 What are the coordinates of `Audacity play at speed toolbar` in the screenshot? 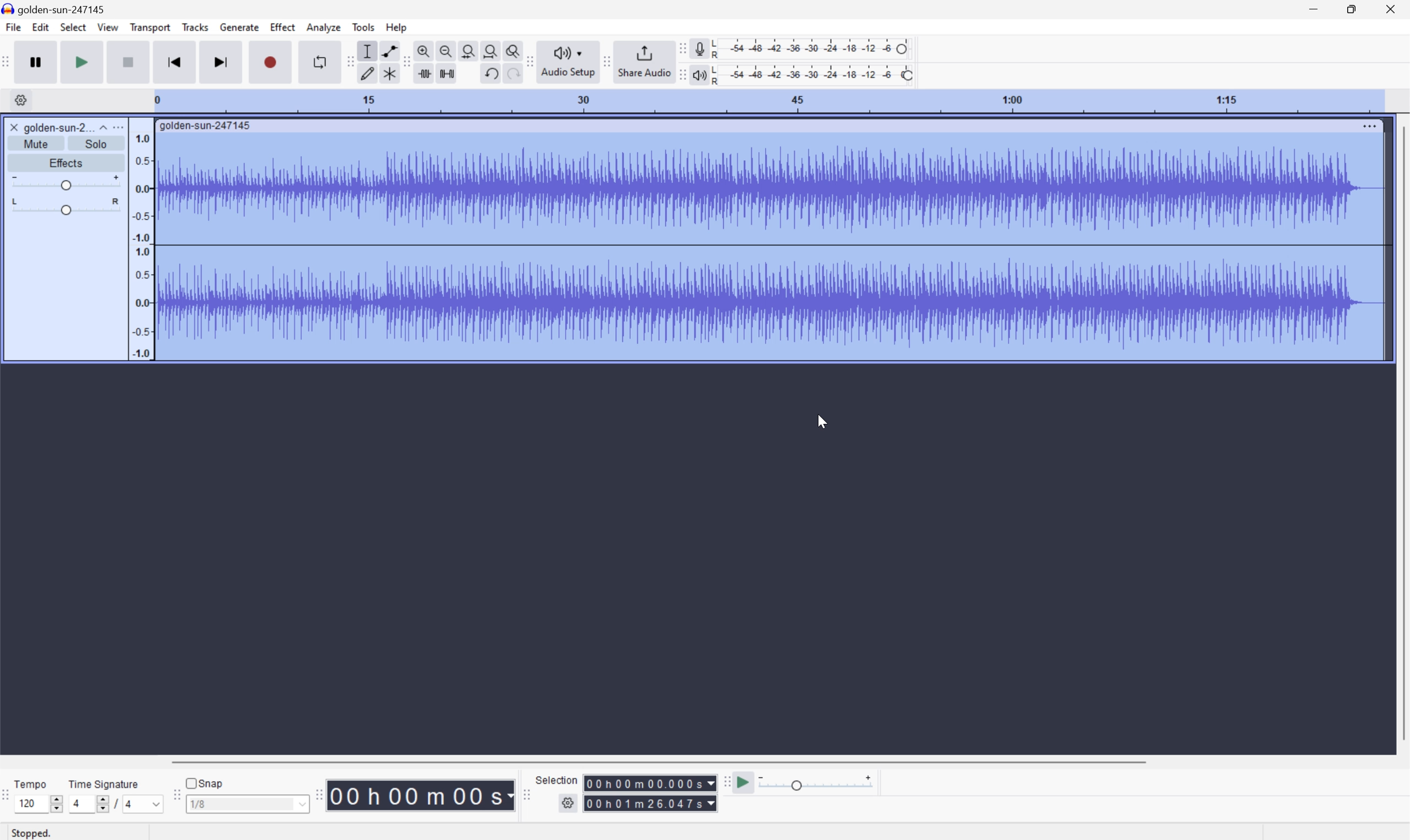 It's located at (725, 780).